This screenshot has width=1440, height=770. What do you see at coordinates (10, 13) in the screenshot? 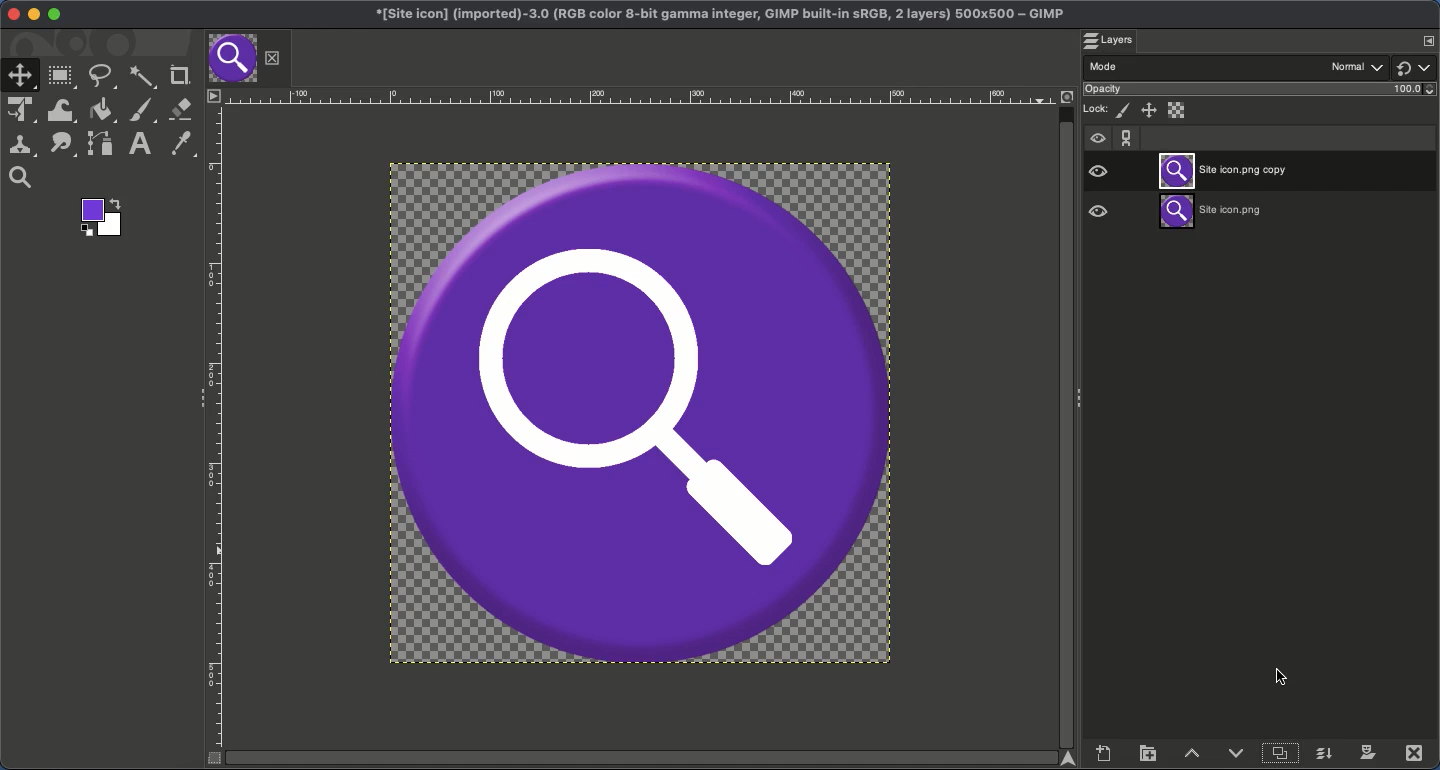
I see `Close` at bounding box center [10, 13].